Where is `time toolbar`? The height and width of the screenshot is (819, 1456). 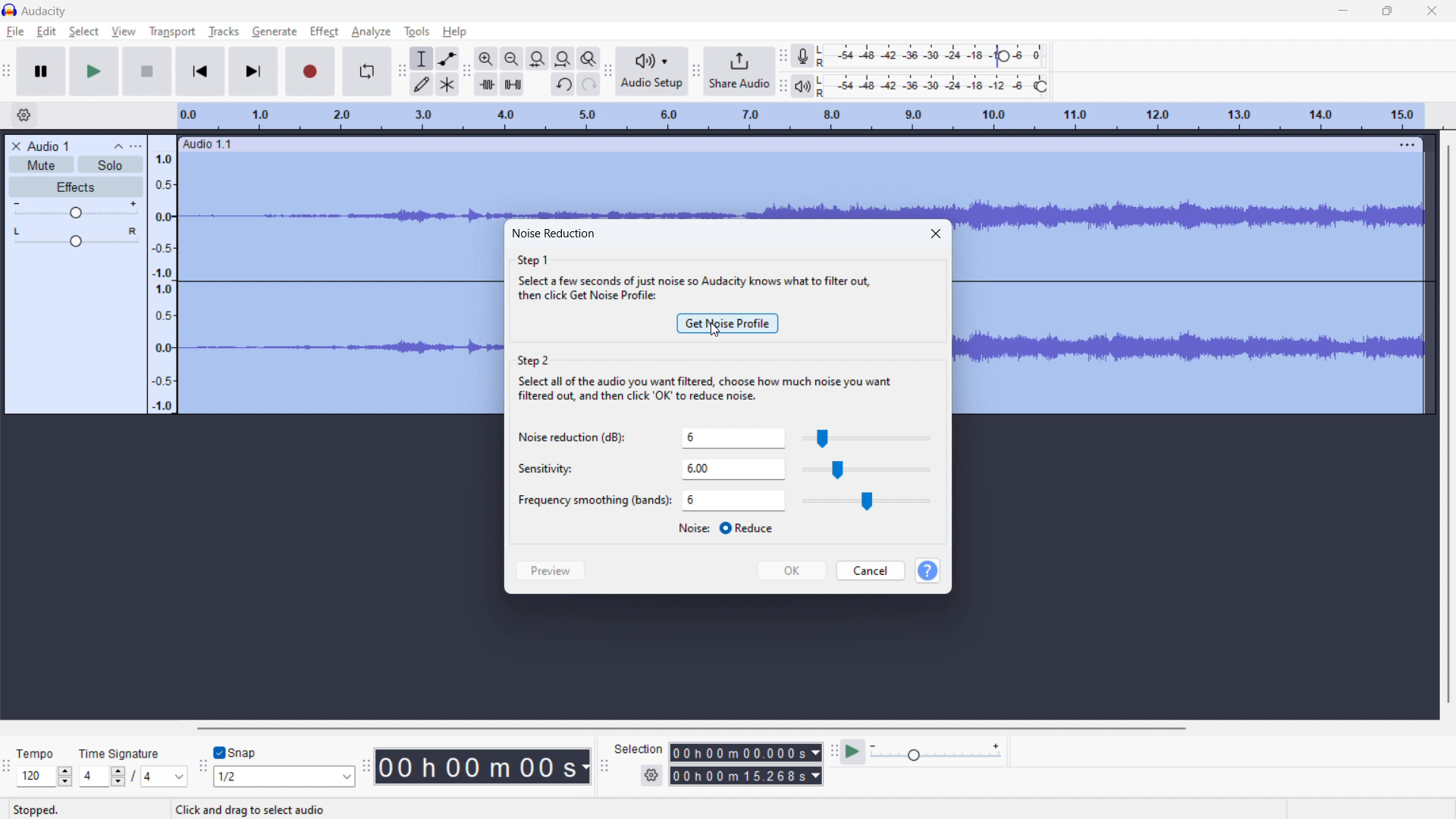
time toolbar is located at coordinates (366, 764).